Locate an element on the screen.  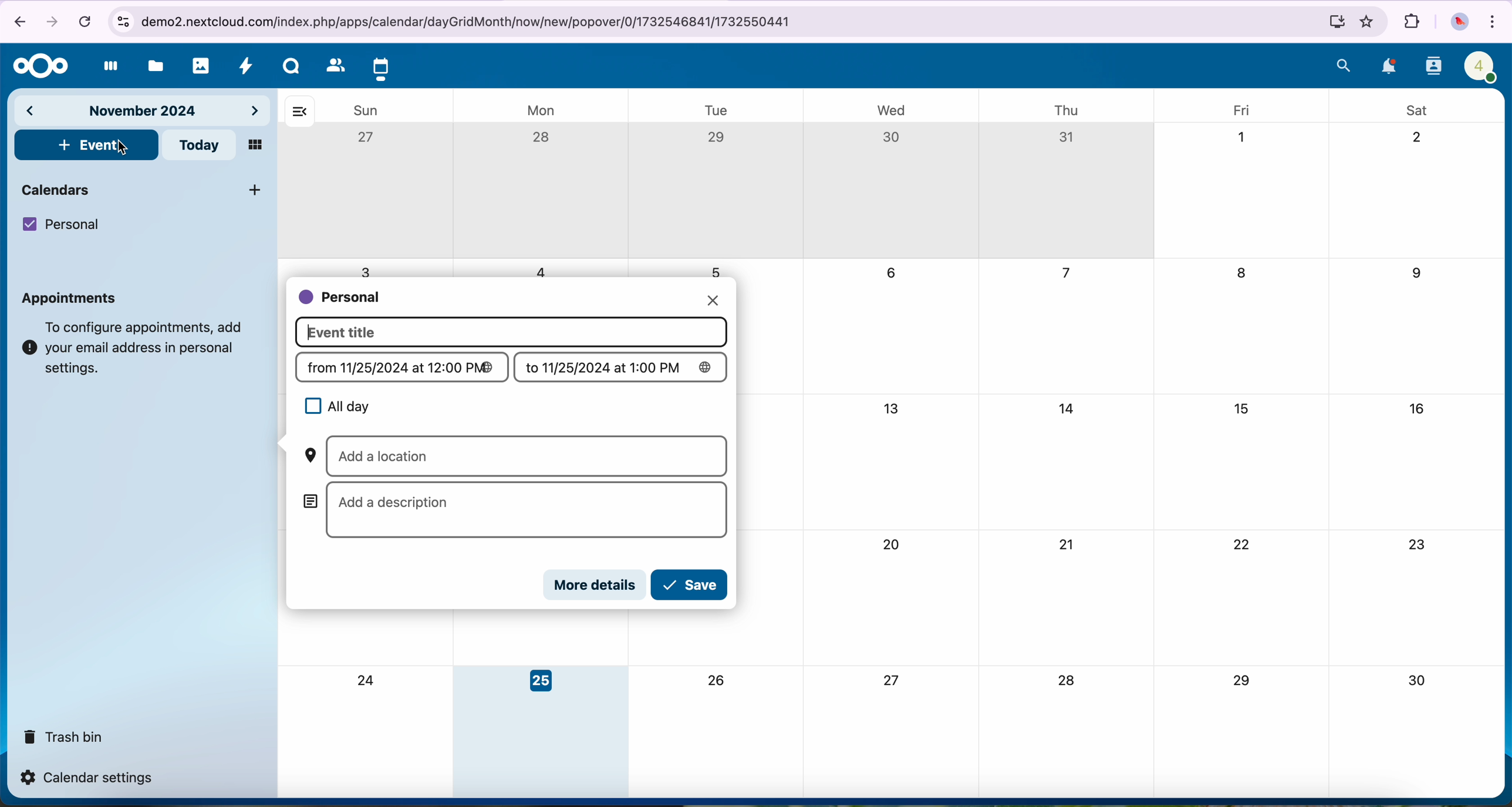
from (date) is located at coordinates (403, 368).